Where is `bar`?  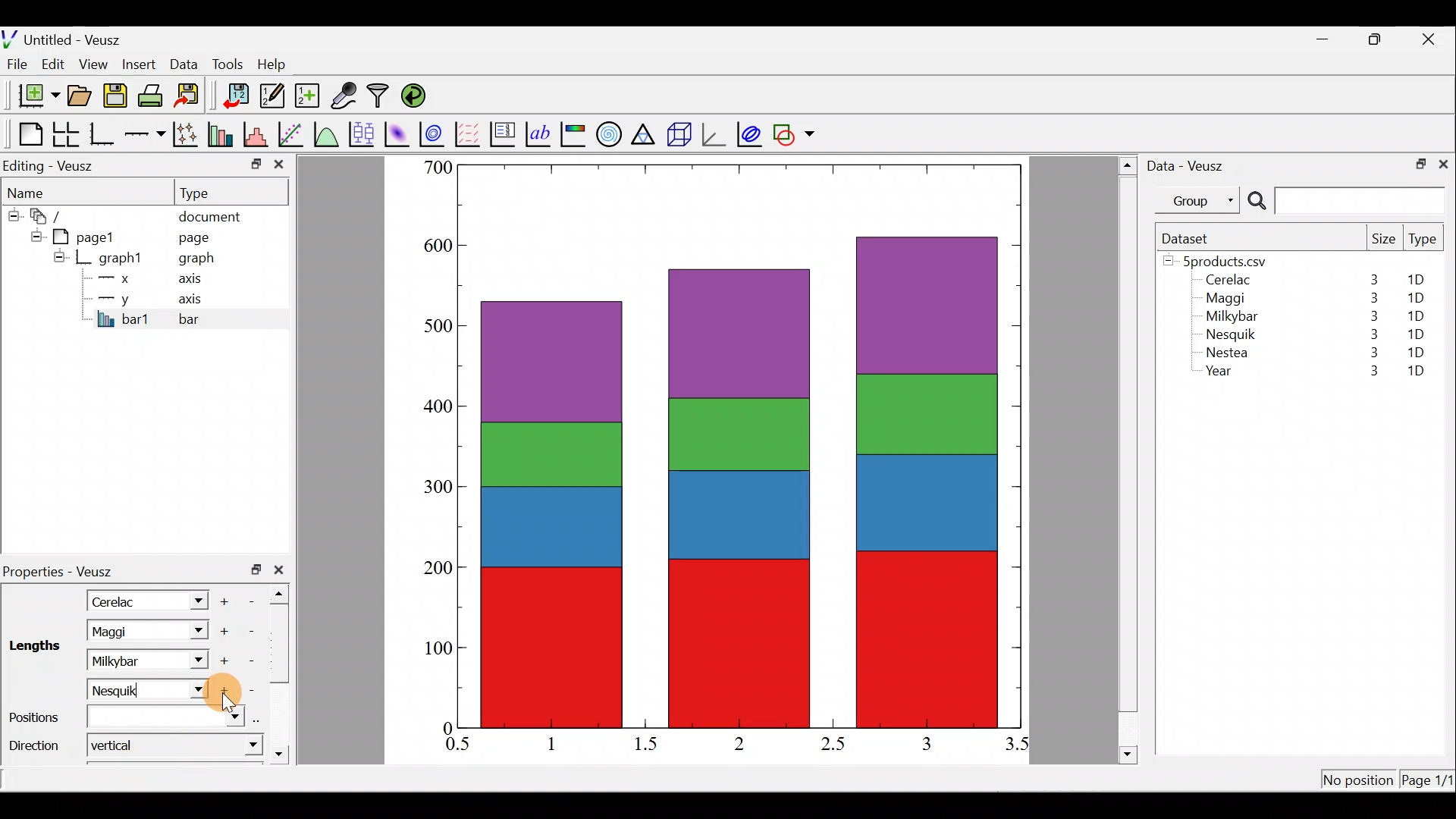
bar is located at coordinates (214, 318).